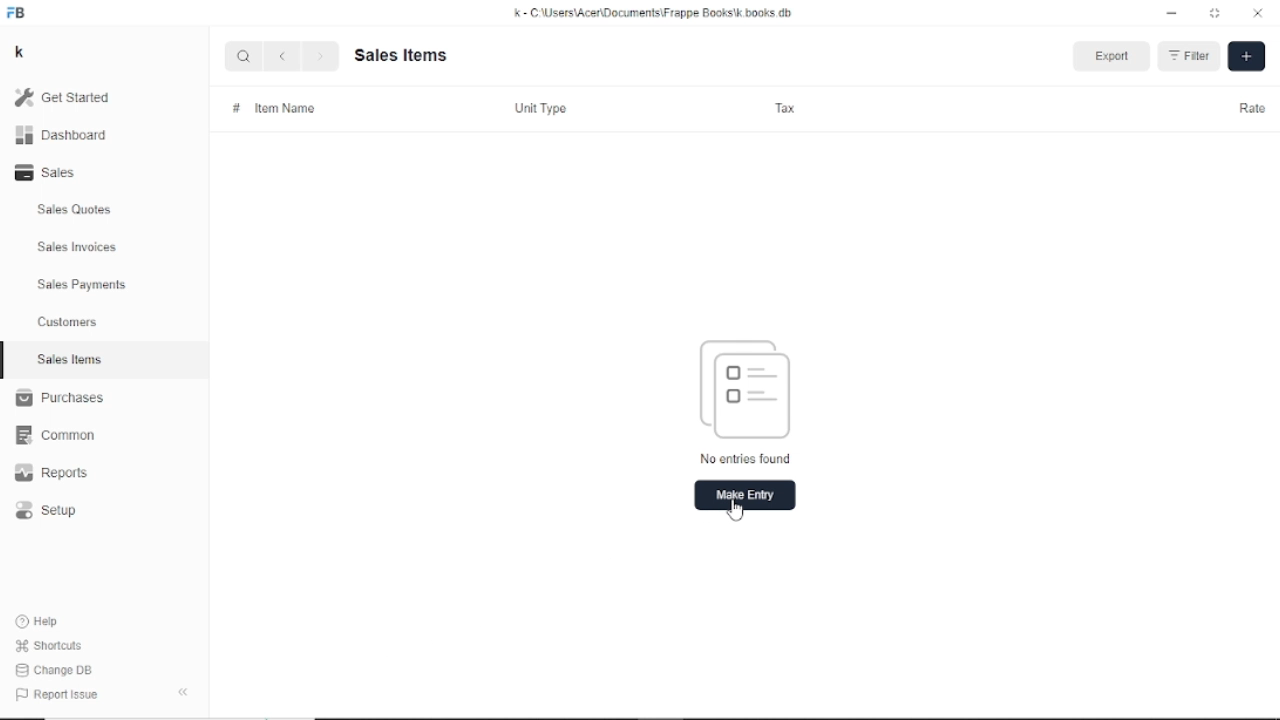  I want to click on Rate, so click(1250, 107).